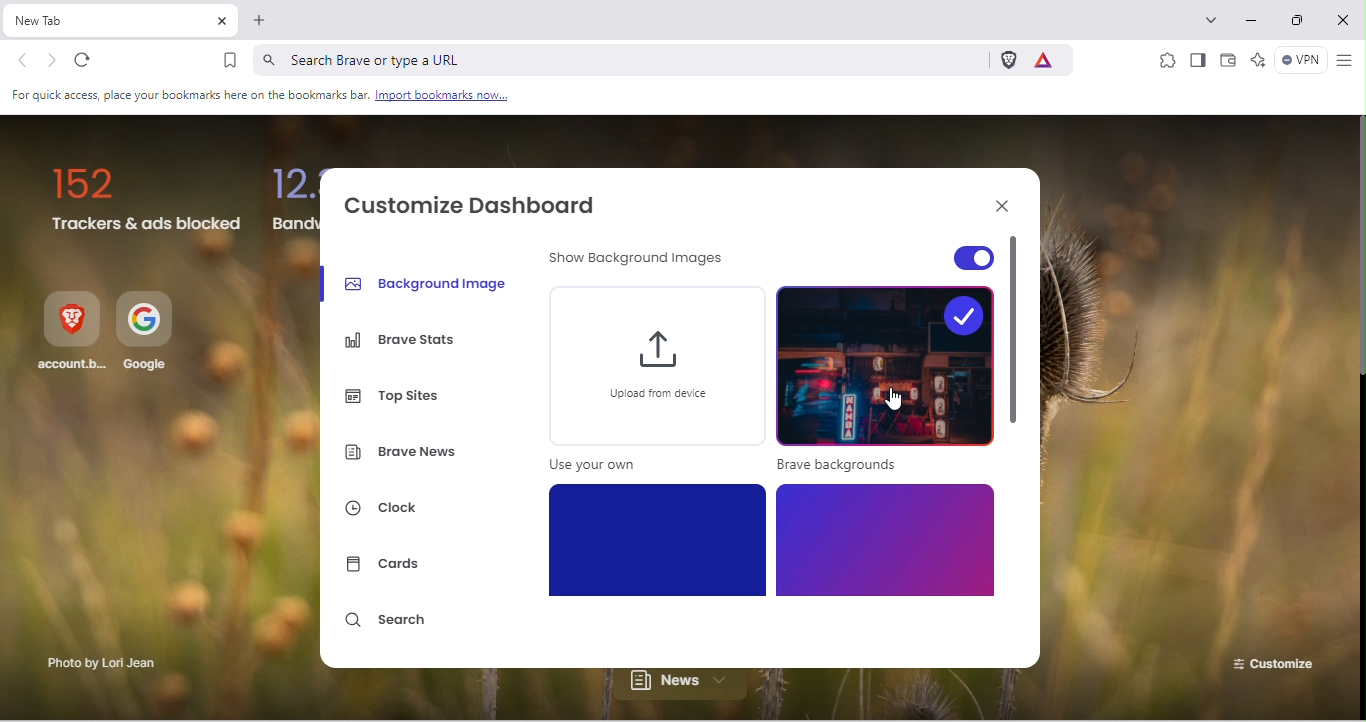 This screenshot has width=1366, height=722. What do you see at coordinates (404, 455) in the screenshot?
I see `Brave news` at bounding box center [404, 455].